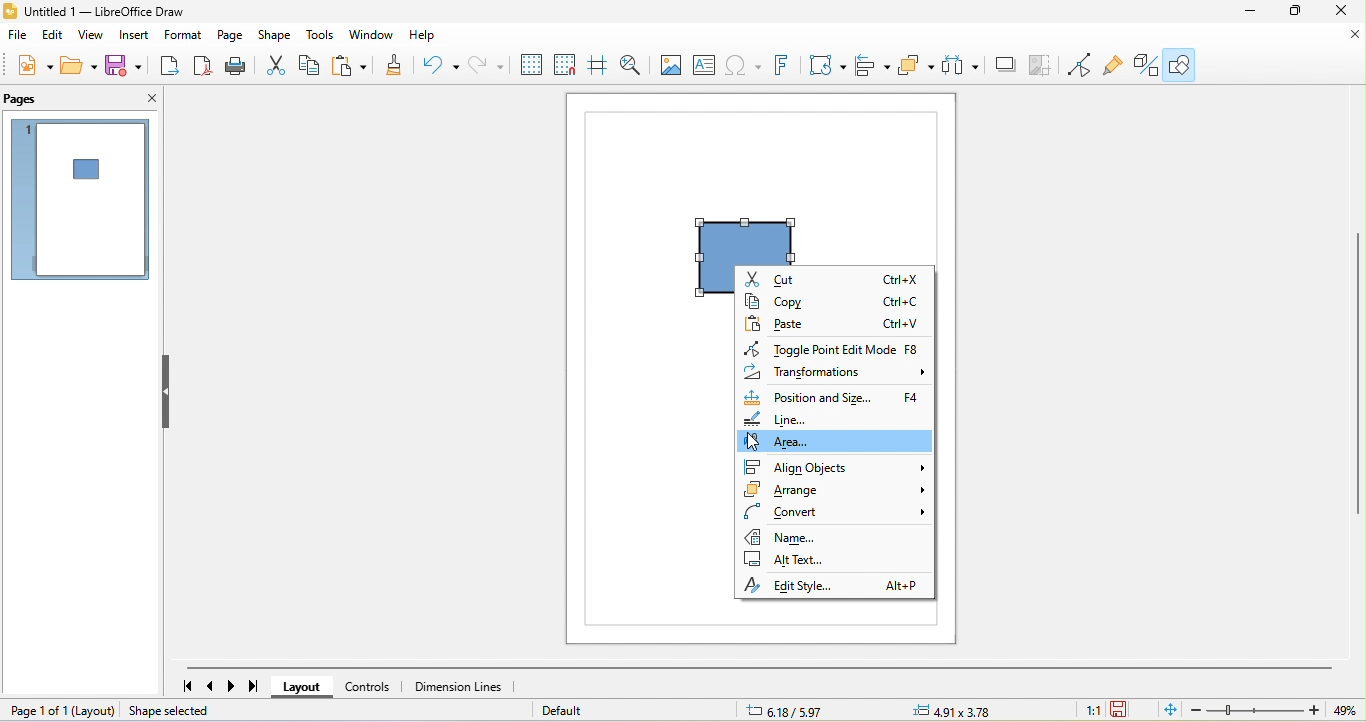 This screenshot has height=722, width=1366. What do you see at coordinates (835, 560) in the screenshot?
I see `alt text` at bounding box center [835, 560].